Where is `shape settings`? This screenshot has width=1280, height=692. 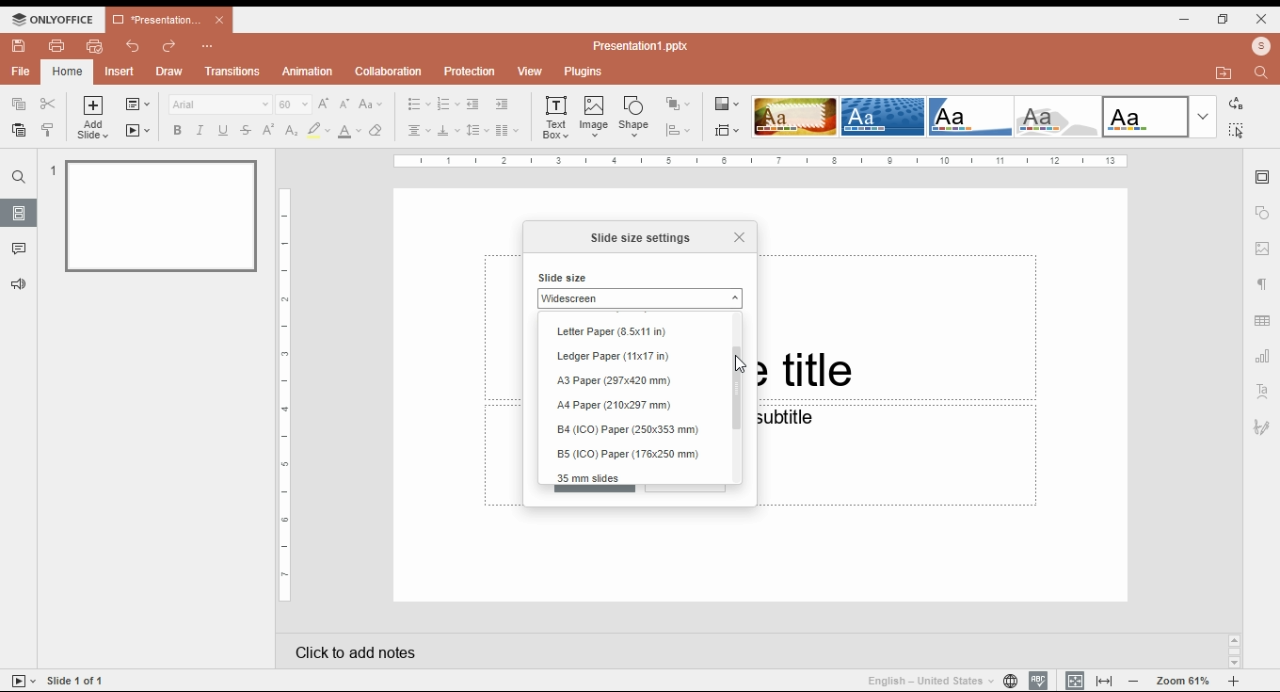
shape settings is located at coordinates (1263, 213).